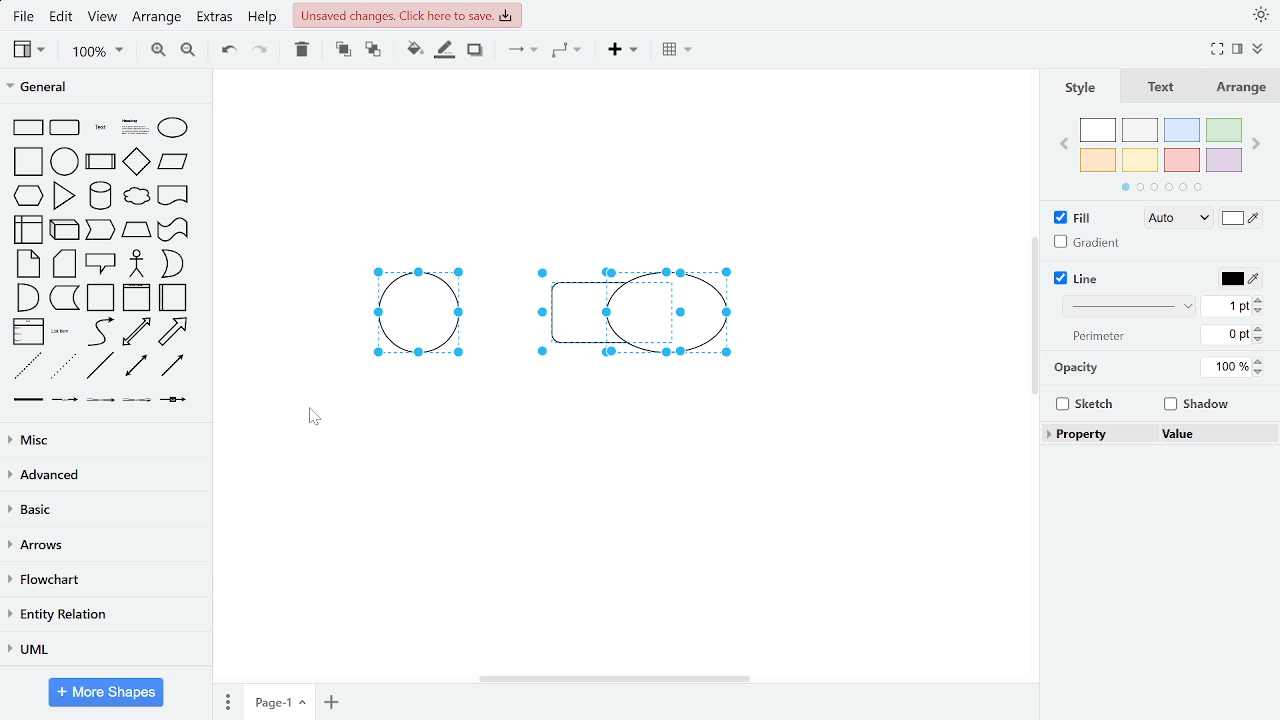 Image resolution: width=1280 pixels, height=720 pixels. I want to click on ash, so click(1140, 129).